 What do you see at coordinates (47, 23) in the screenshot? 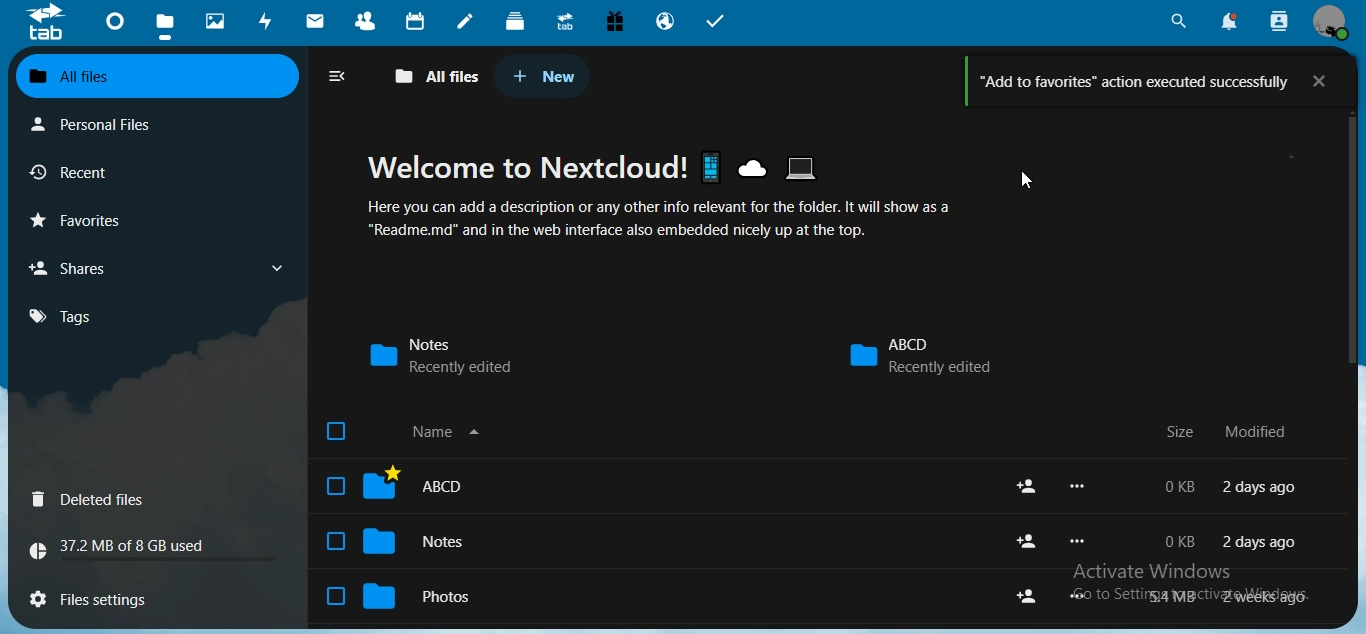
I see `icon` at bounding box center [47, 23].